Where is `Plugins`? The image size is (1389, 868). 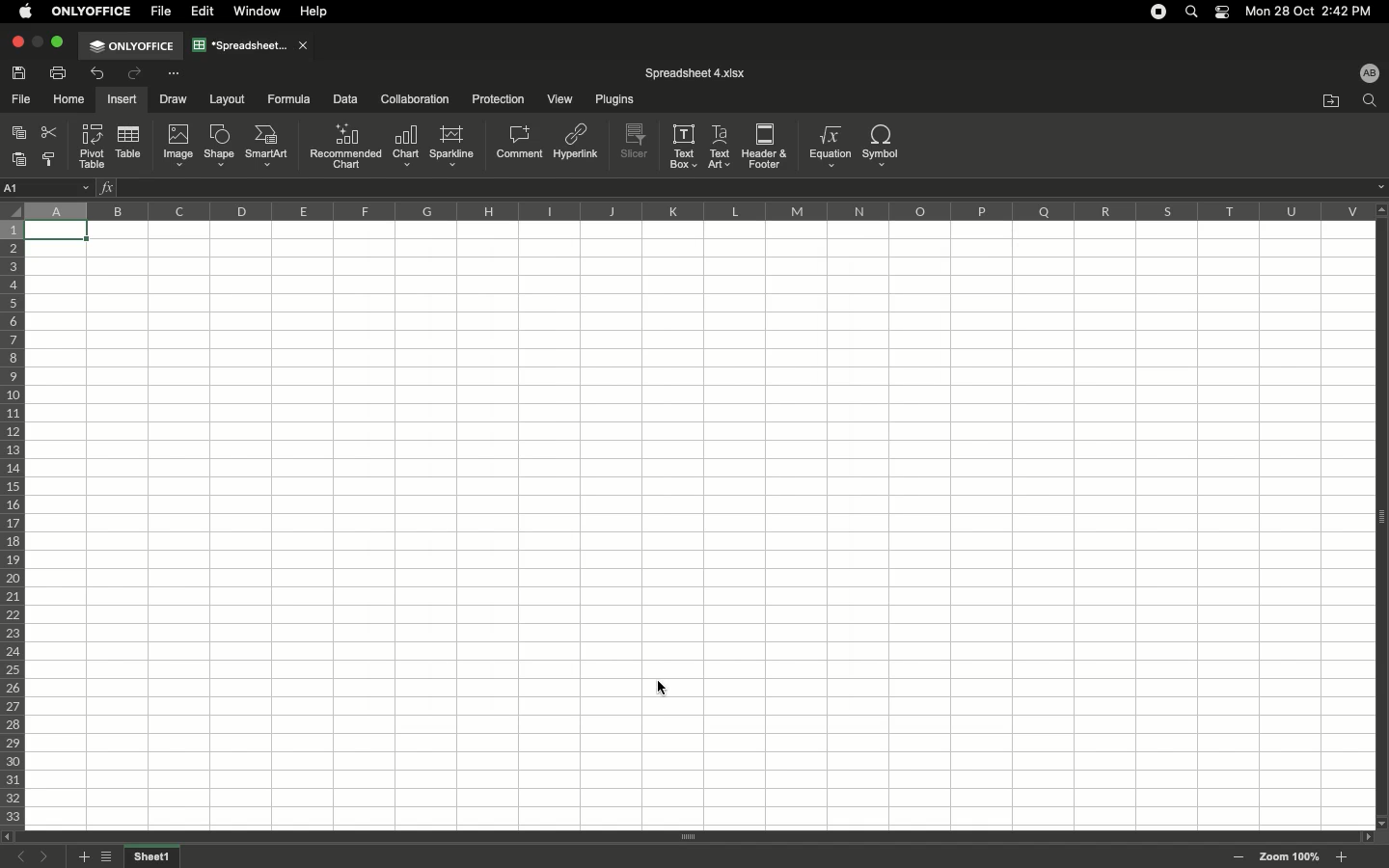
Plugins is located at coordinates (612, 100).